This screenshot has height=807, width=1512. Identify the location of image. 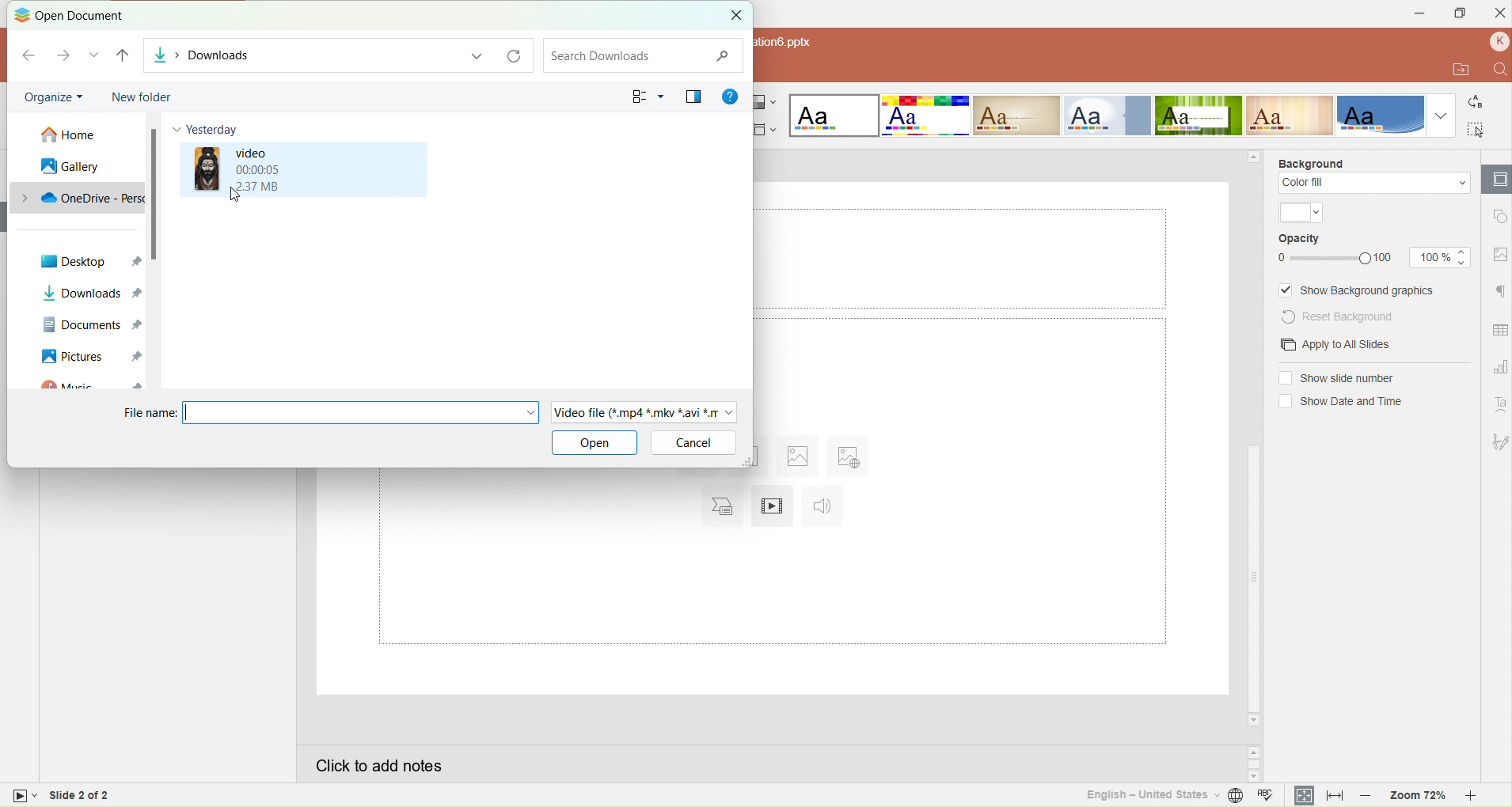
(201, 171).